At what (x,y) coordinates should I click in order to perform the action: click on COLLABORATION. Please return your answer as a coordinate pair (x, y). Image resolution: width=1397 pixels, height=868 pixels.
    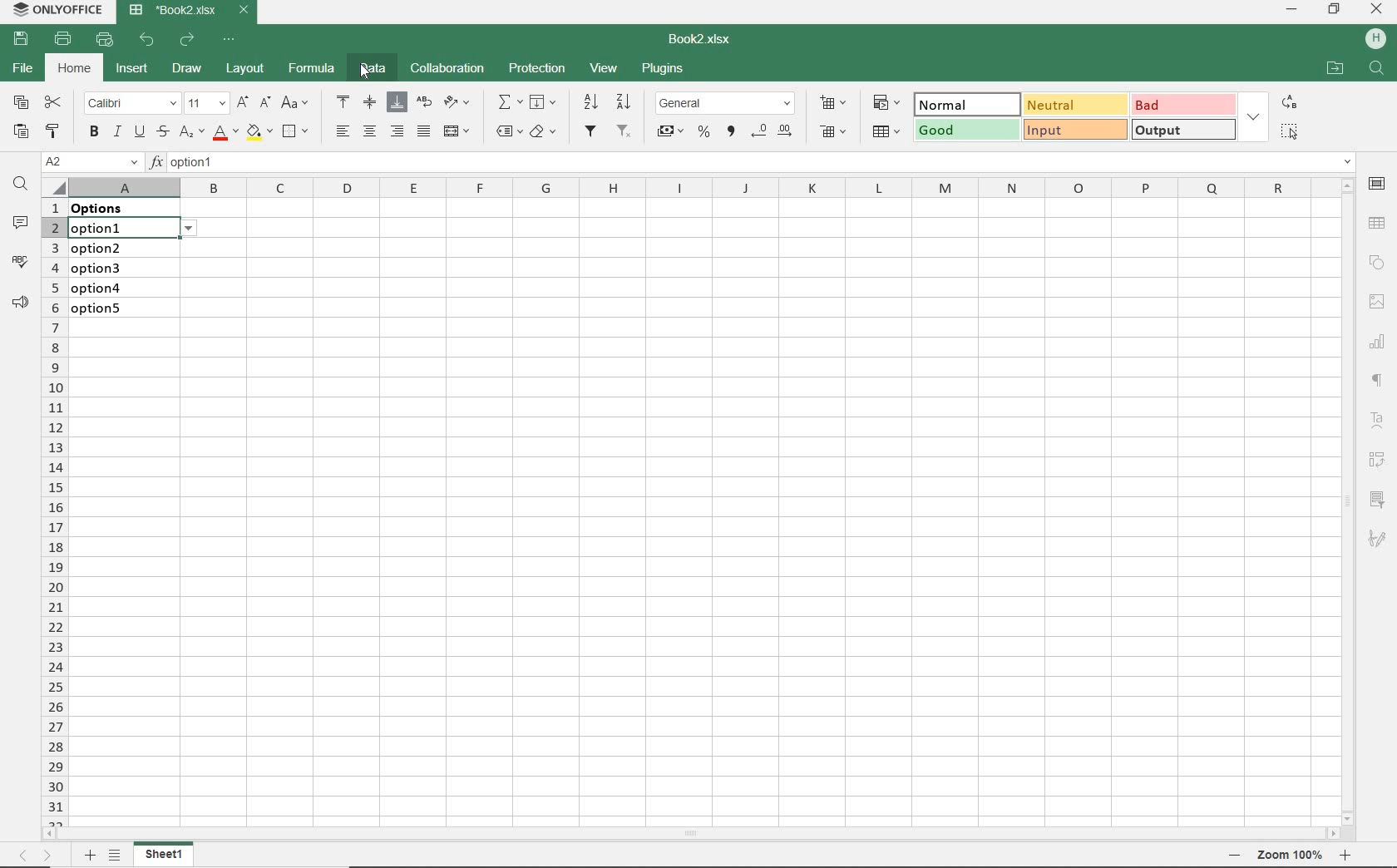
    Looking at the image, I should click on (448, 67).